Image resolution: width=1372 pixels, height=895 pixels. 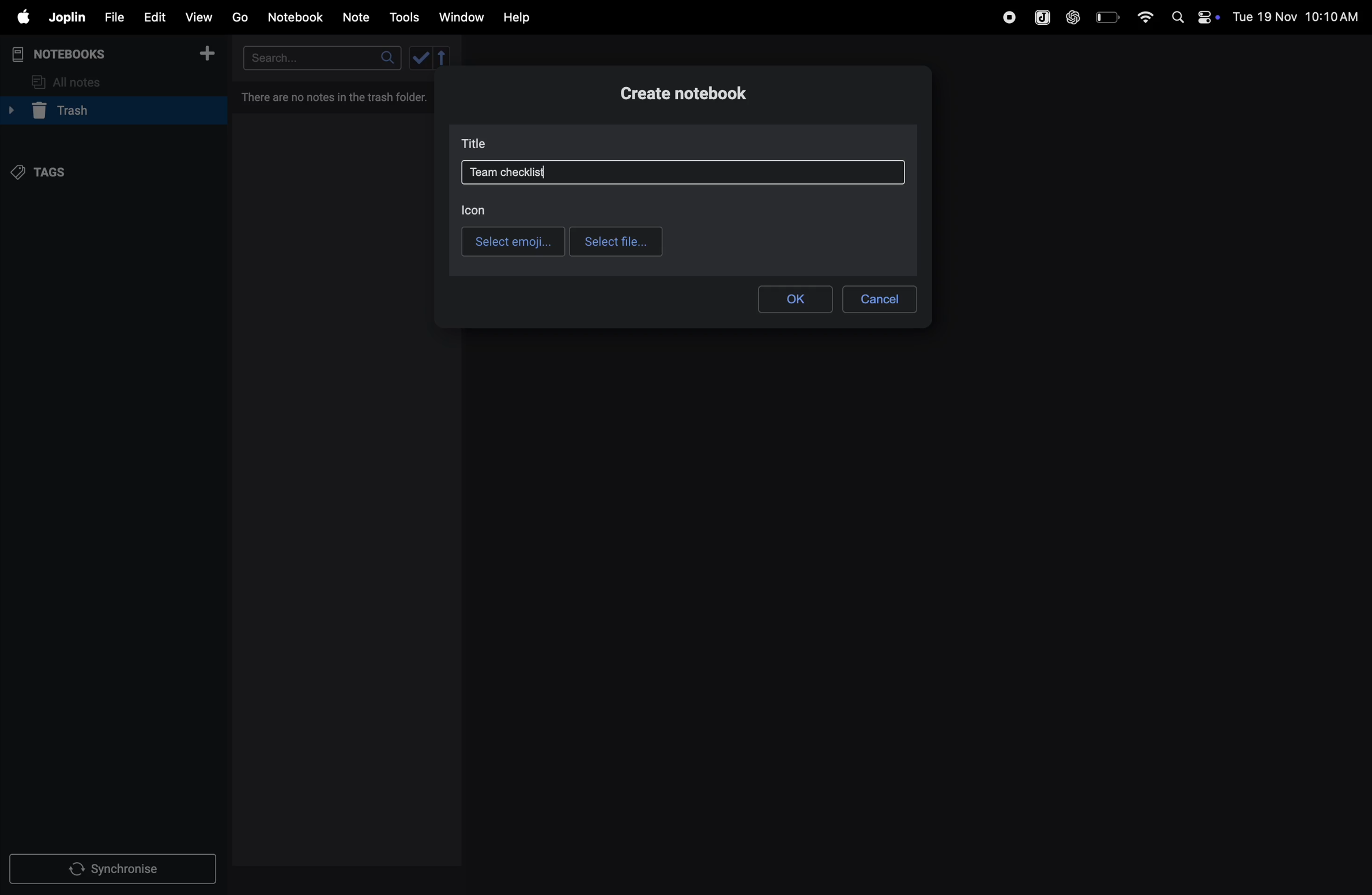 I want to click on edit, so click(x=154, y=16).